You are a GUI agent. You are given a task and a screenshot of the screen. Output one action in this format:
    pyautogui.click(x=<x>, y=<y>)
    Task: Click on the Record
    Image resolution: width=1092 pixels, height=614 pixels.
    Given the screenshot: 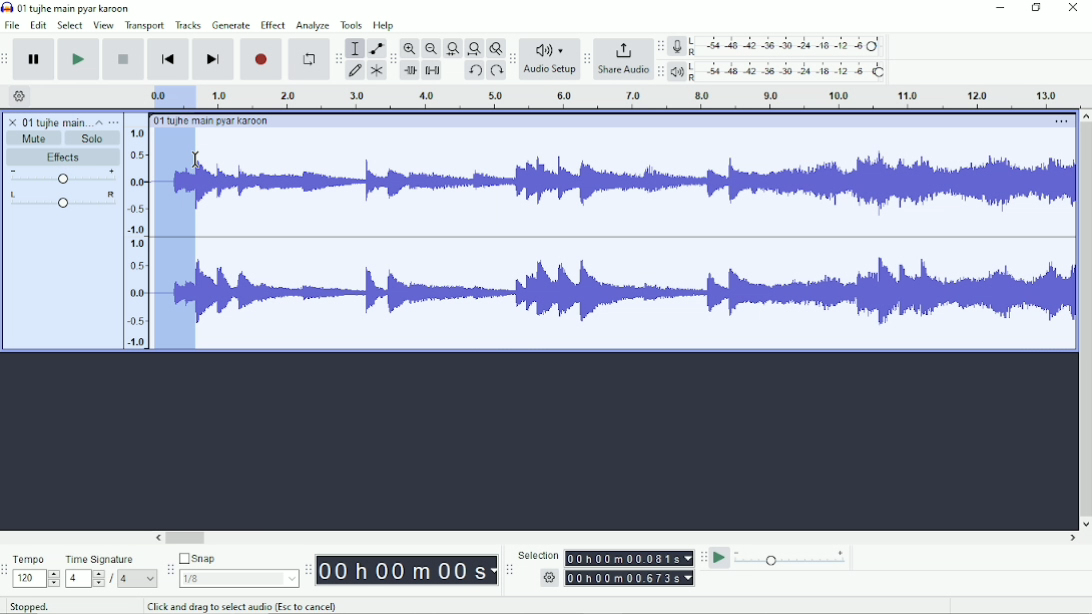 What is the action you would take?
    pyautogui.click(x=262, y=59)
    